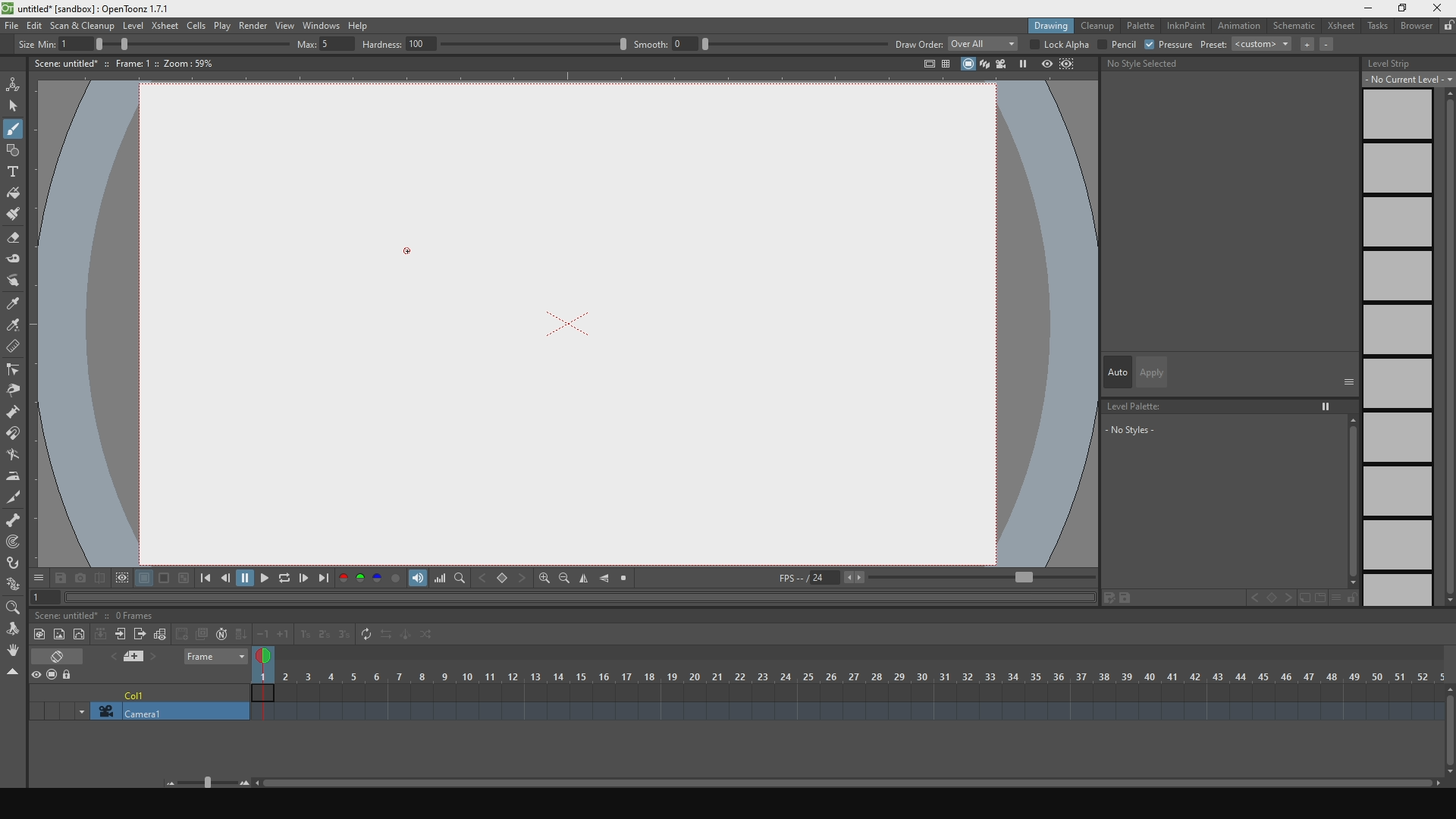 Image resolution: width=1456 pixels, height=819 pixels. I want to click on overall, so click(983, 44).